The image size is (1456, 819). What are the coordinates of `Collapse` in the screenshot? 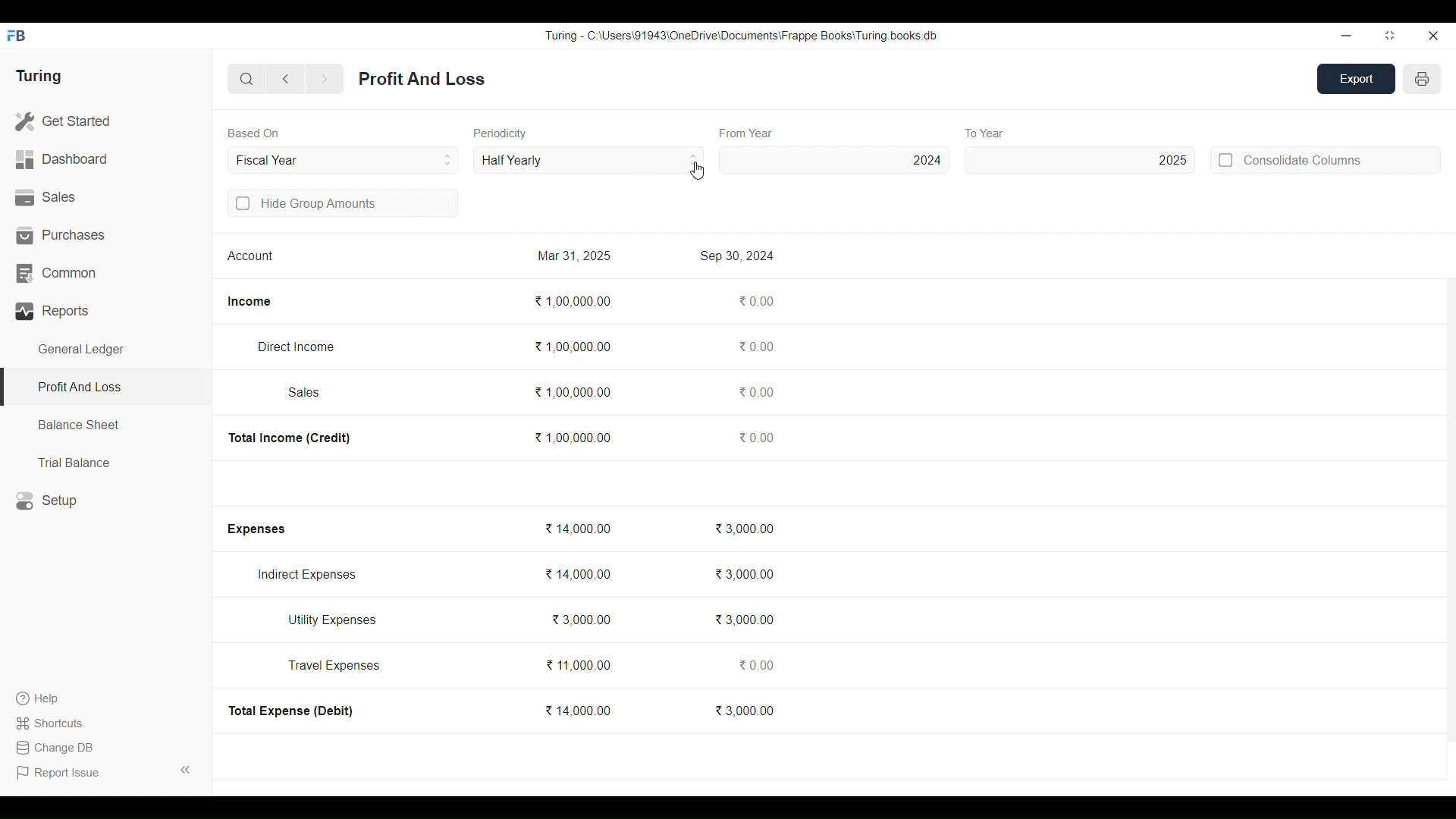 It's located at (186, 770).